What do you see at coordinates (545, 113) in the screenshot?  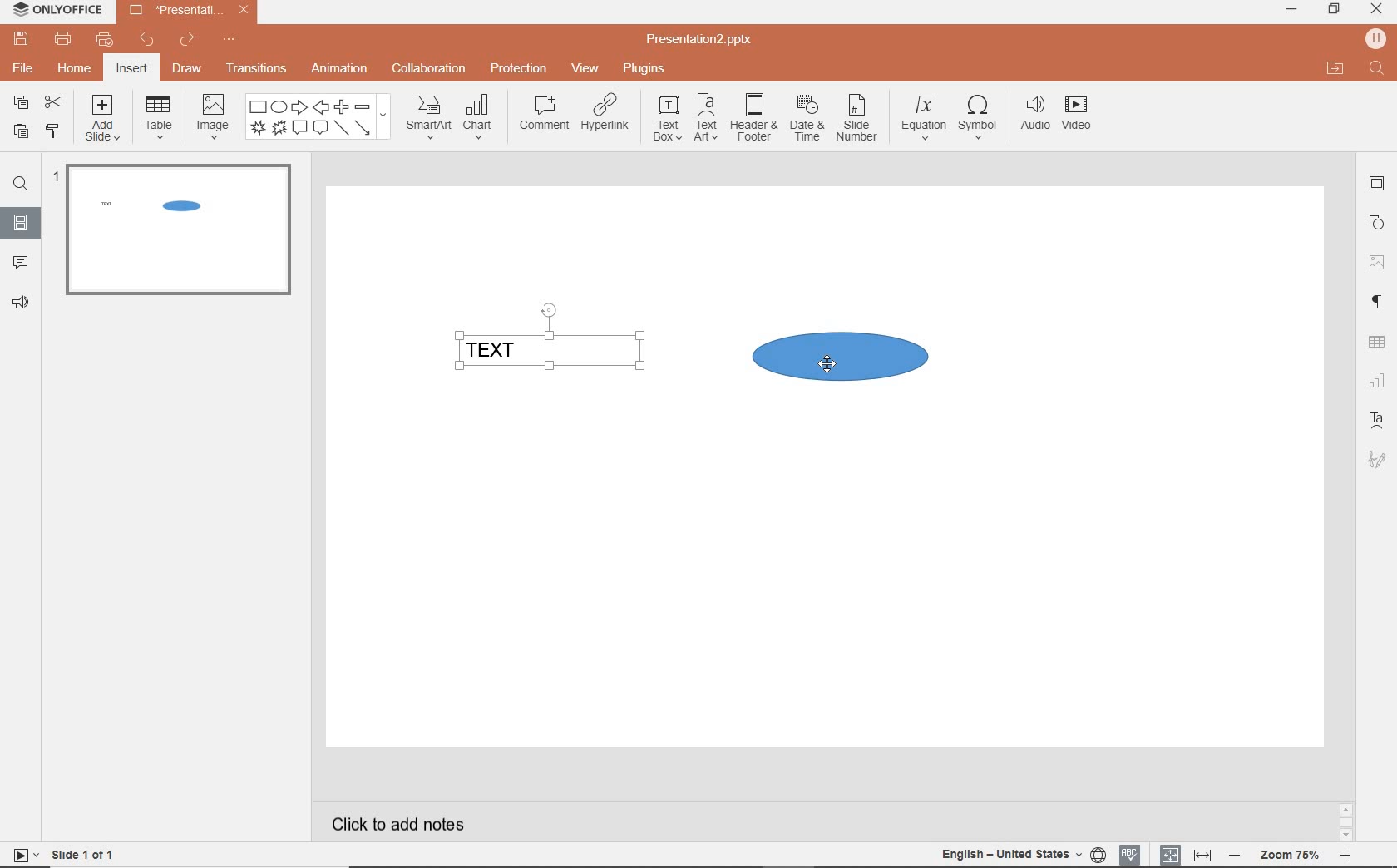 I see `comment` at bounding box center [545, 113].